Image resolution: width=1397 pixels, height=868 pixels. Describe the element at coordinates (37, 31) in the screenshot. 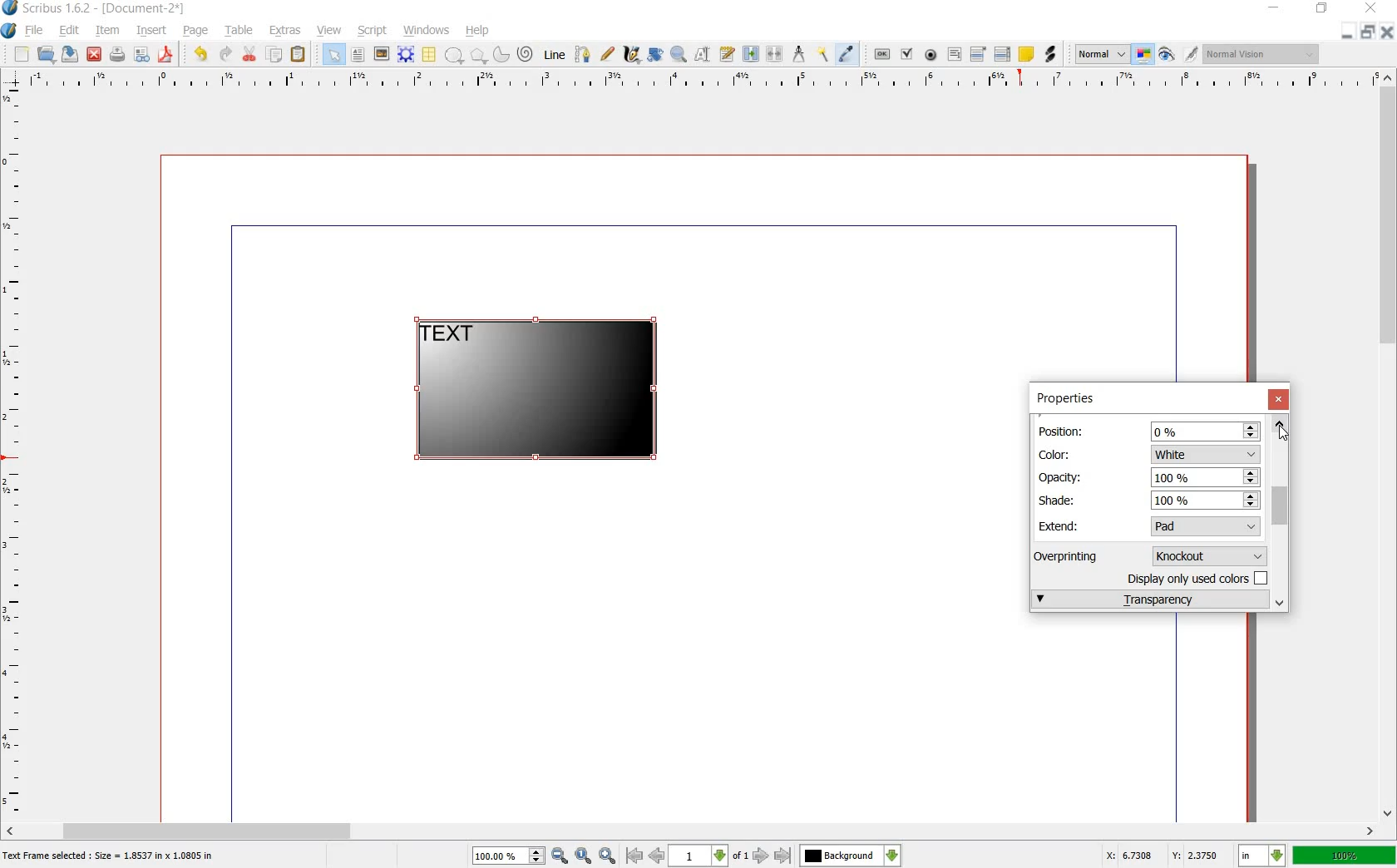

I see `file` at that location.